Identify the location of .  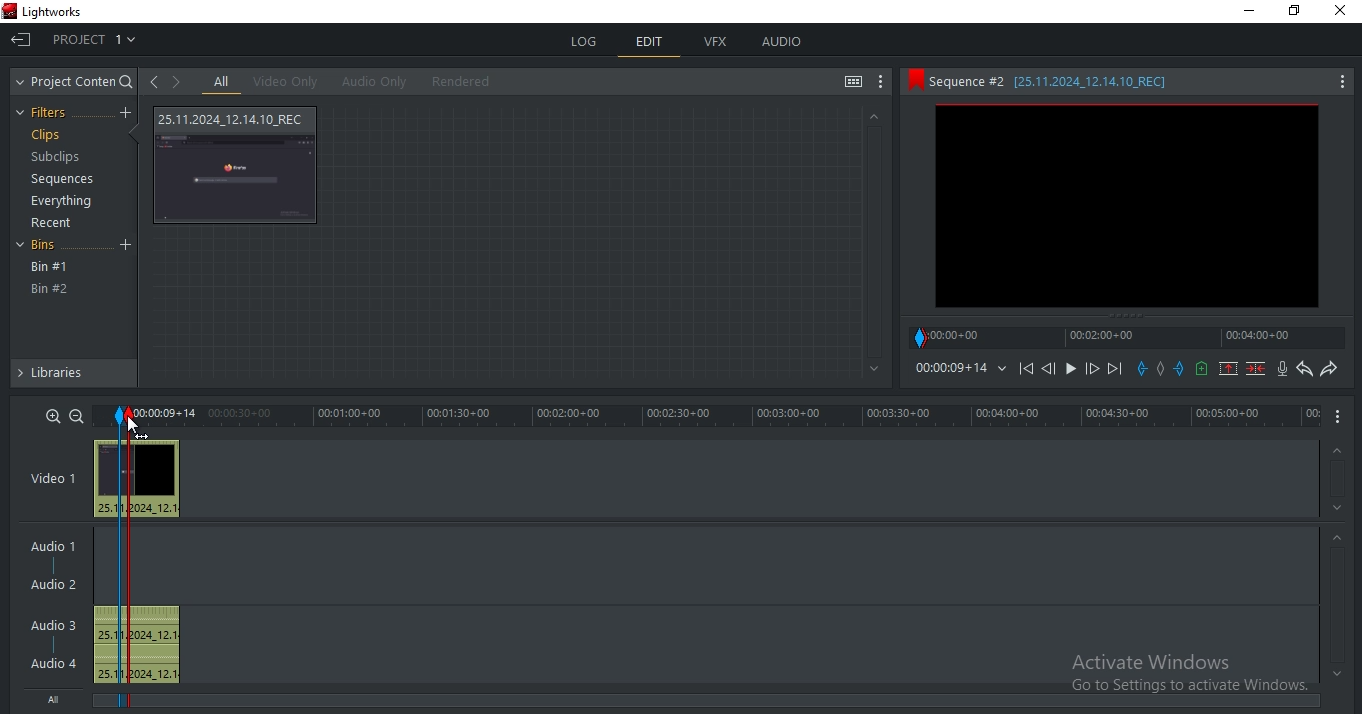
(855, 80).